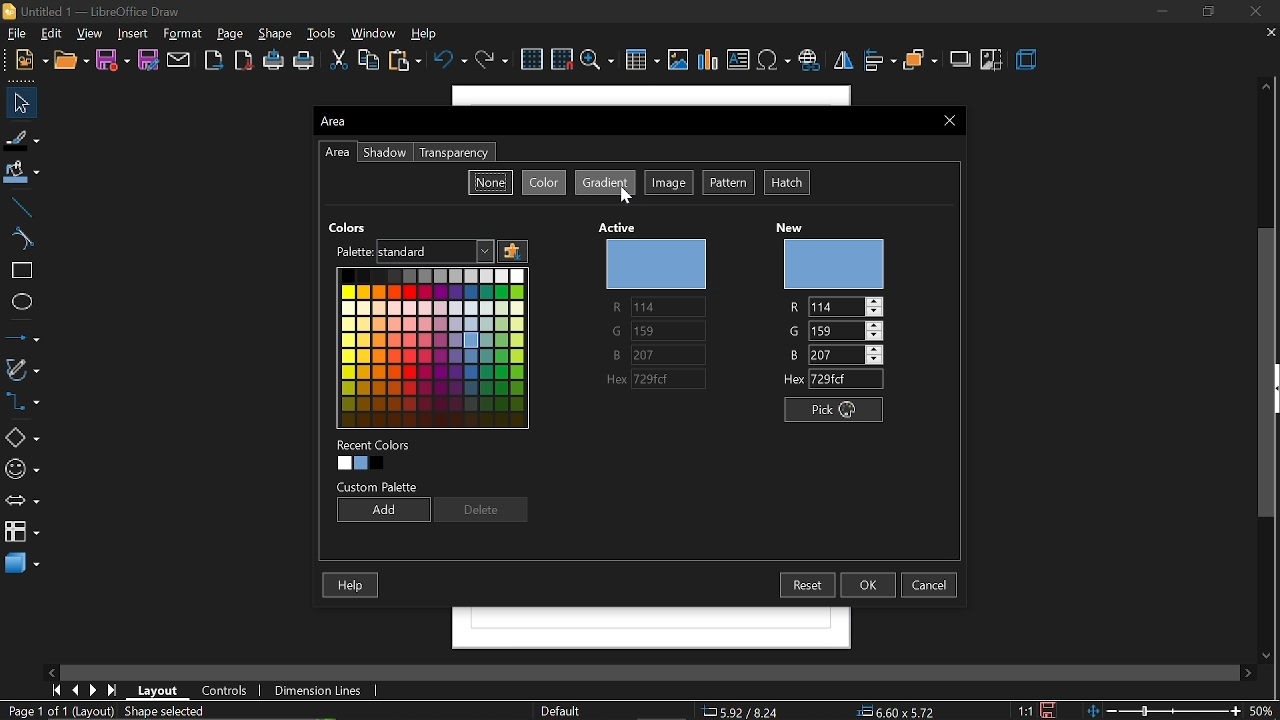 The image size is (1280, 720). What do you see at coordinates (112, 61) in the screenshot?
I see `save` at bounding box center [112, 61].